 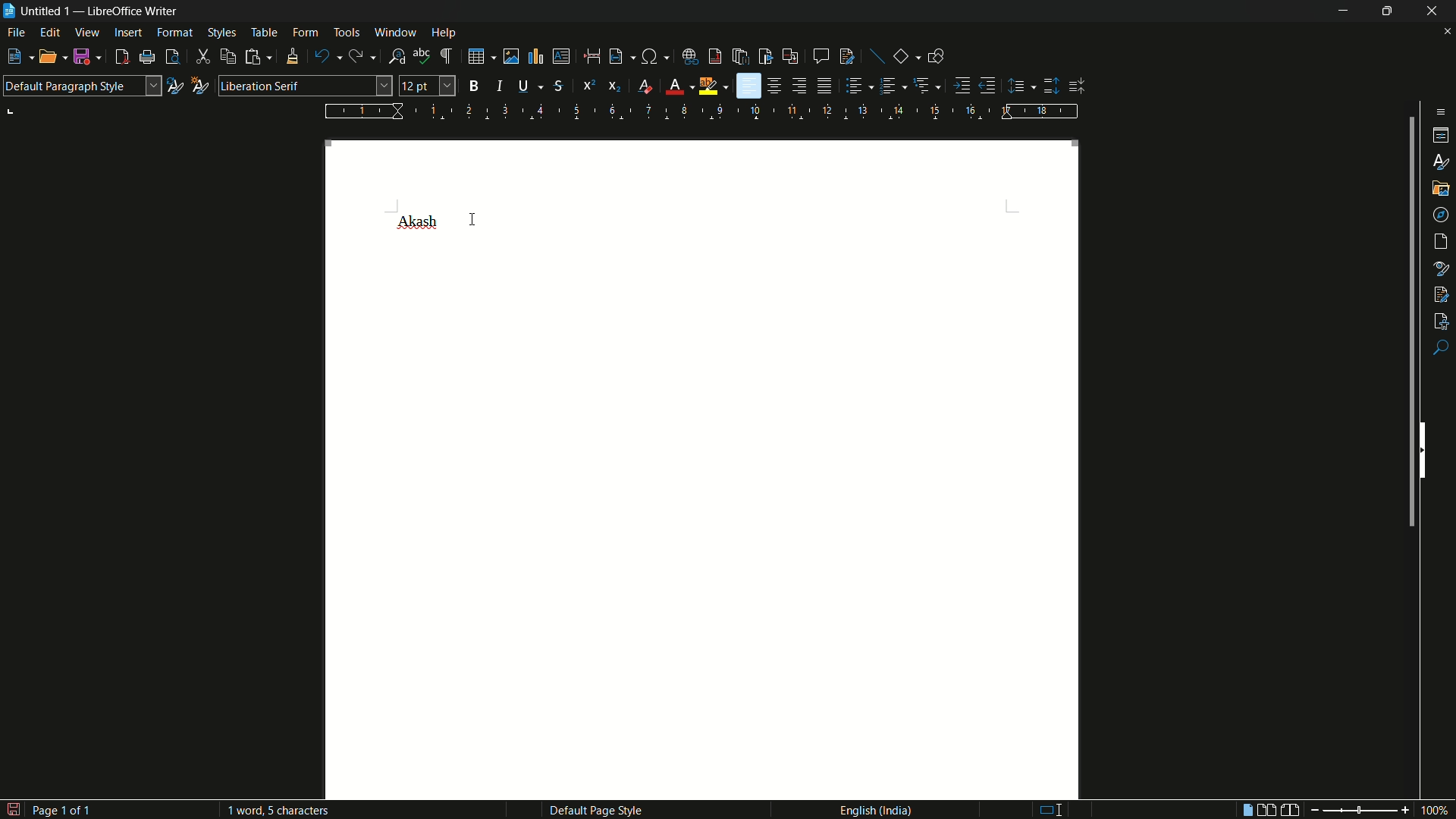 I want to click on paste, so click(x=253, y=56).